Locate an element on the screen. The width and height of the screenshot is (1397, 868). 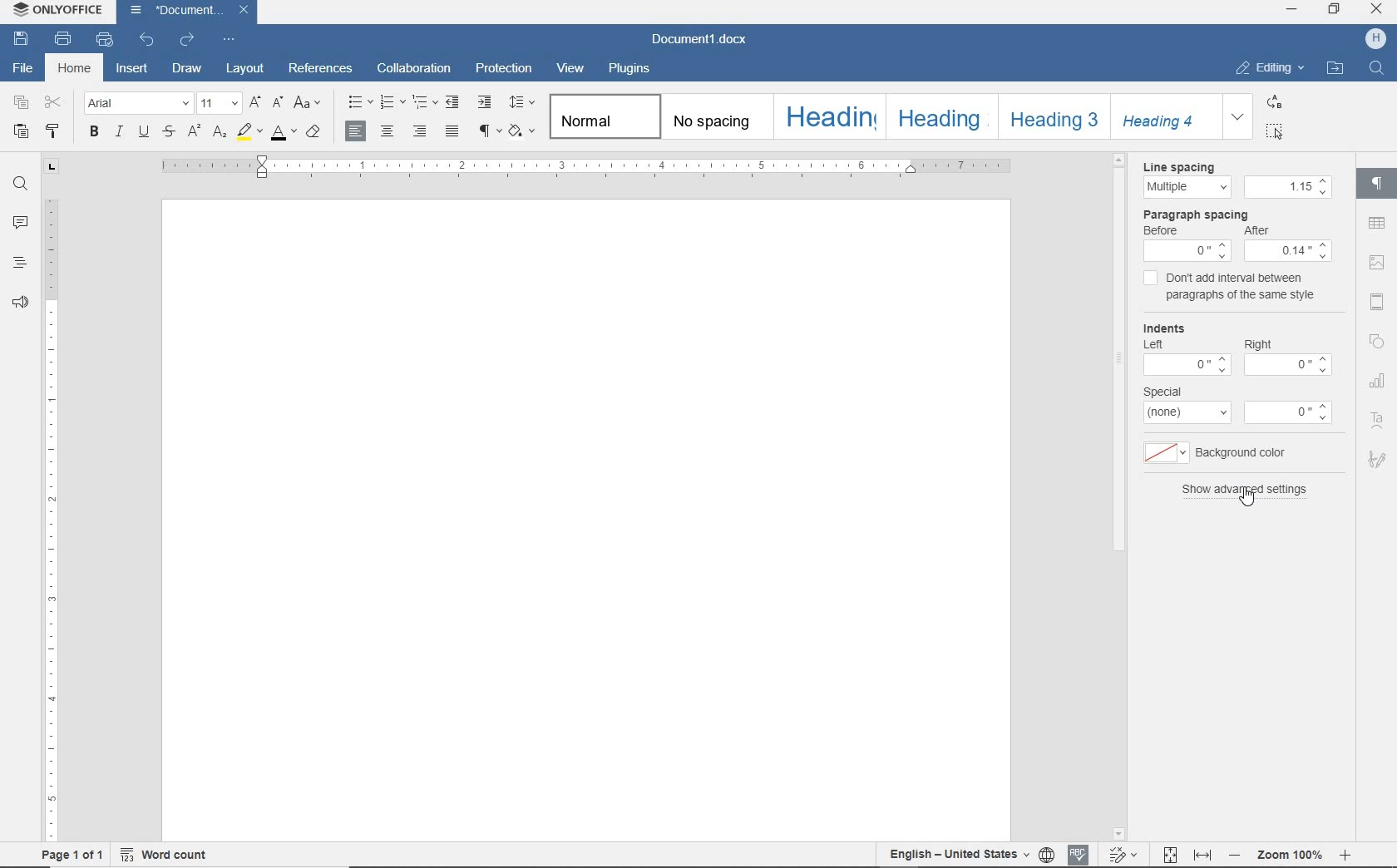
English - United States(text language) is located at coordinates (956, 856).